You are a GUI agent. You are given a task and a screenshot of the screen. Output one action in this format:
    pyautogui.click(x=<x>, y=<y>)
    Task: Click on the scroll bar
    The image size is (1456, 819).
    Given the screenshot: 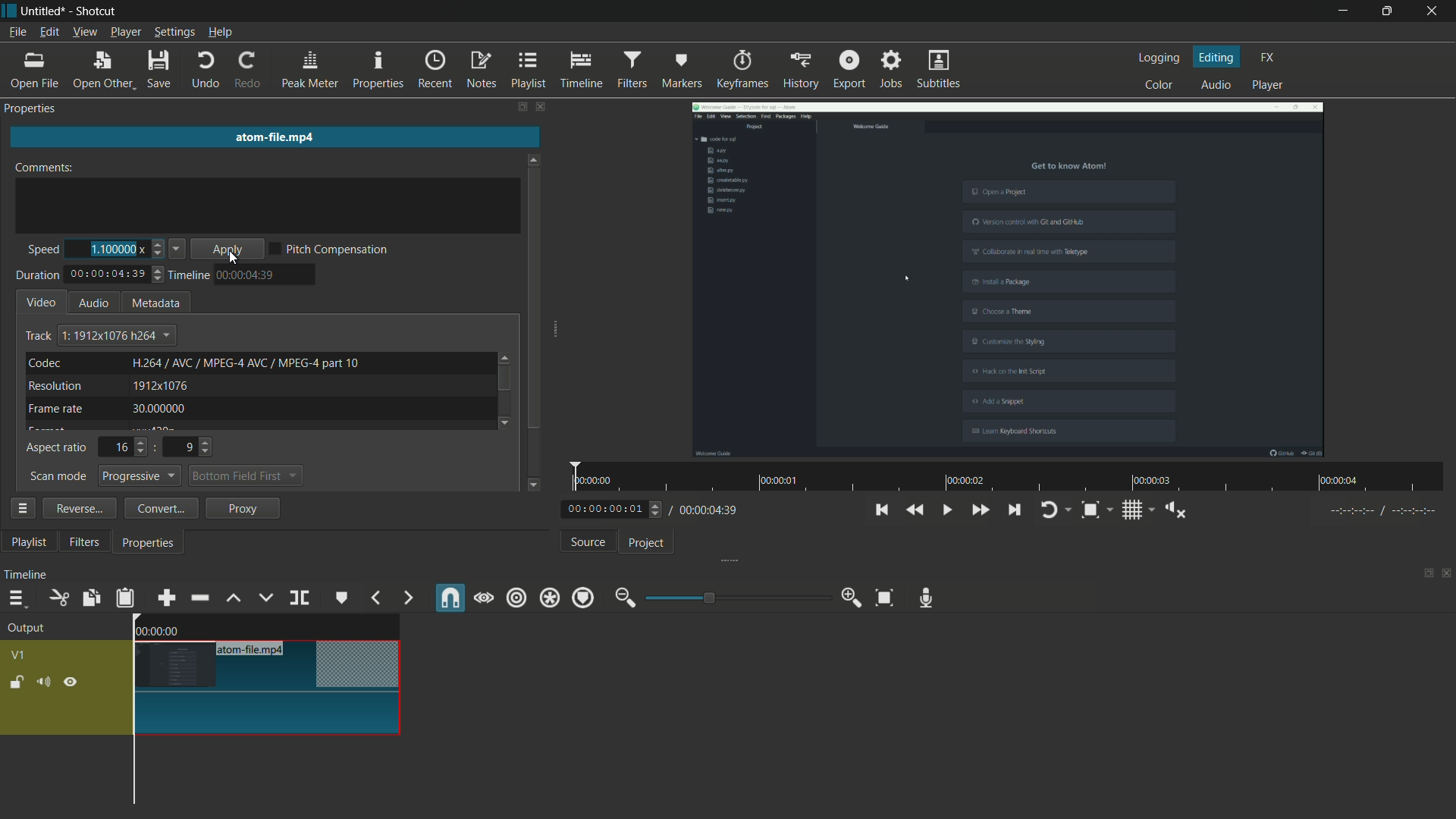 What is the action you would take?
    pyautogui.click(x=534, y=300)
    